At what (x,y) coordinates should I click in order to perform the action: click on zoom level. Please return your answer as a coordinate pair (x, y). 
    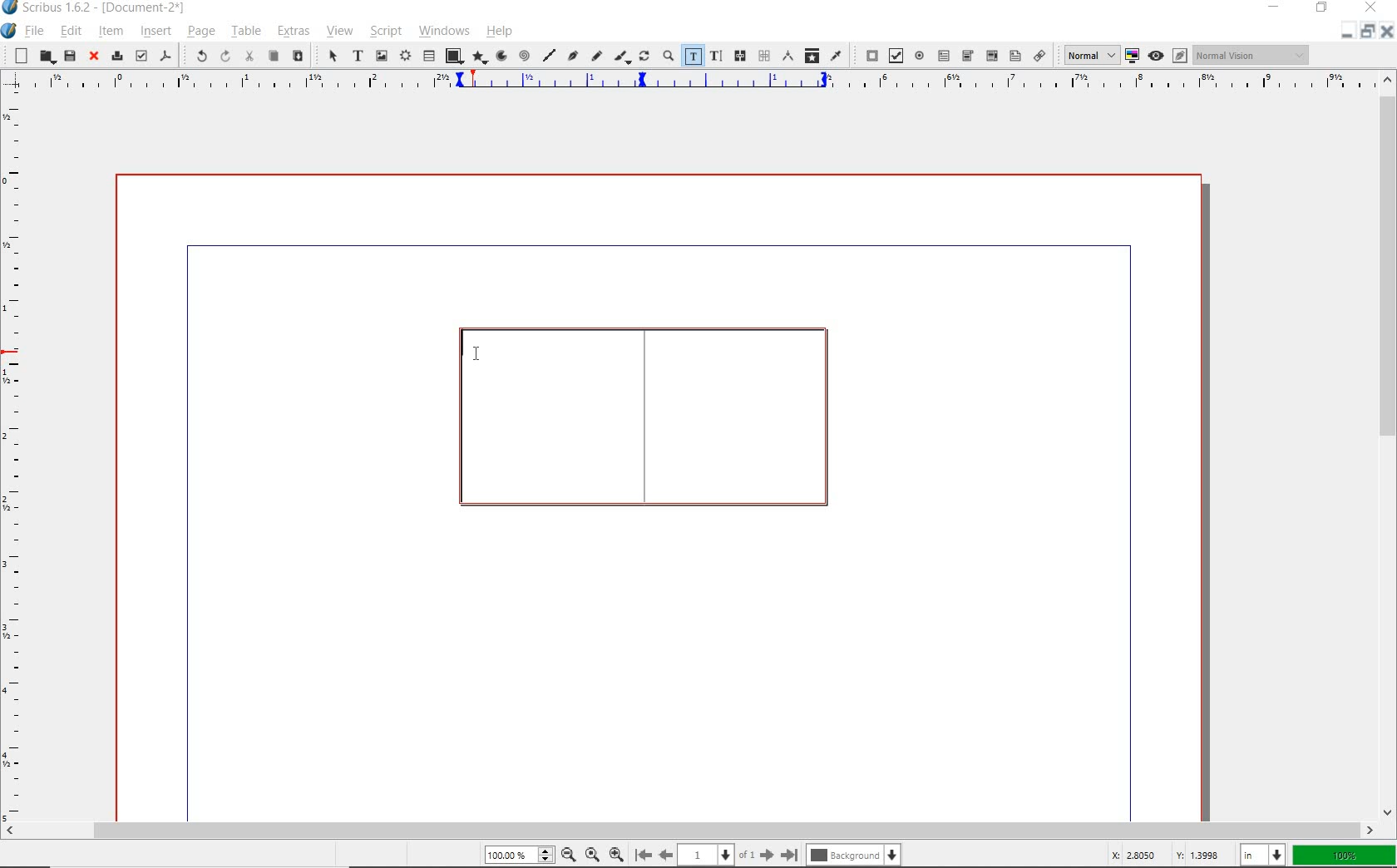
    Looking at the image, I should click on (520, 855).